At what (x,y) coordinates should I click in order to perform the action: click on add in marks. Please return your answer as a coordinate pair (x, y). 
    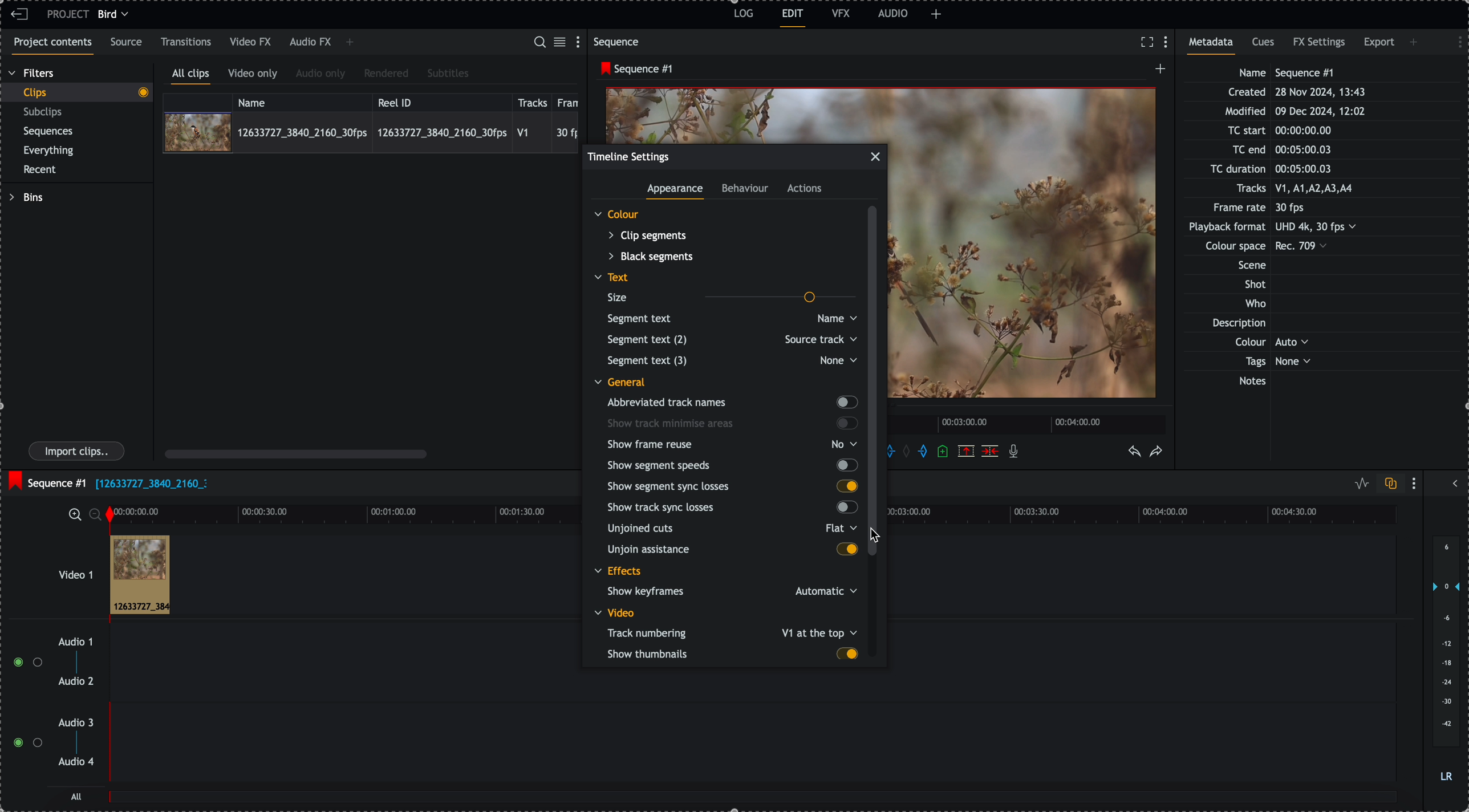
    Looking at the image, I should click on (899, 450).